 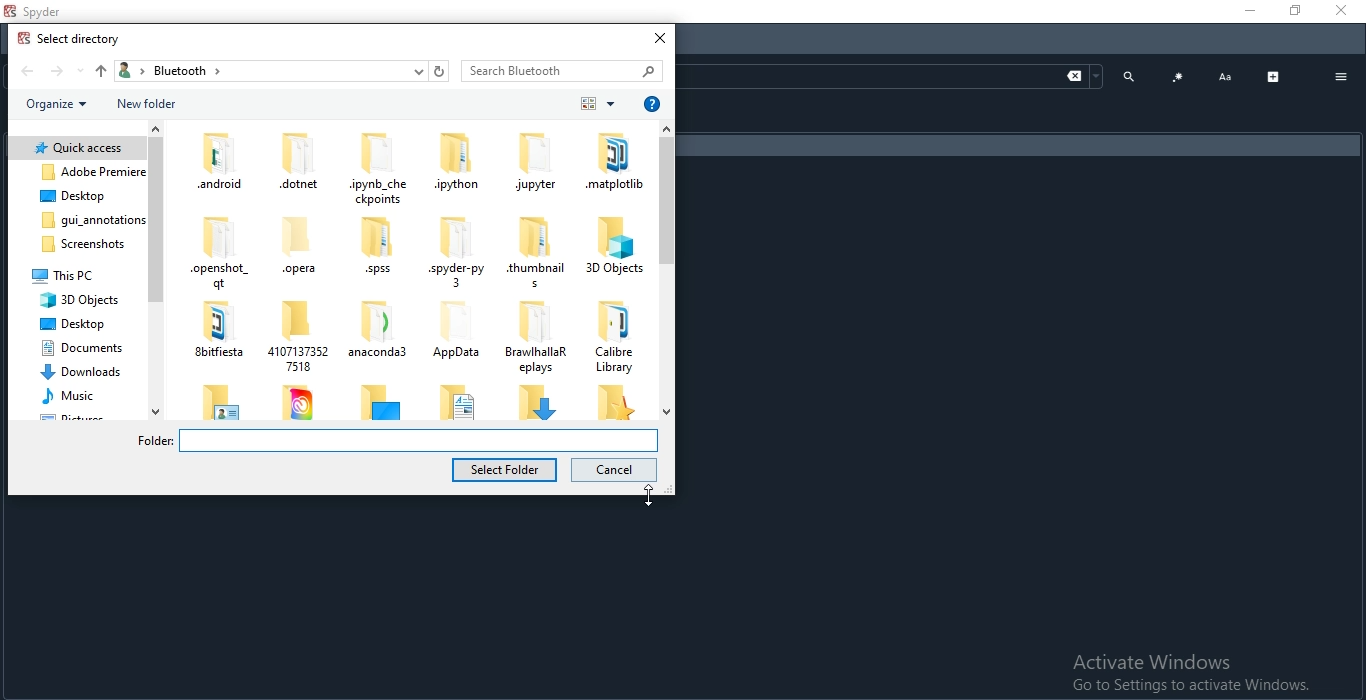 I want to click on search, so click(x=1129, y=75).